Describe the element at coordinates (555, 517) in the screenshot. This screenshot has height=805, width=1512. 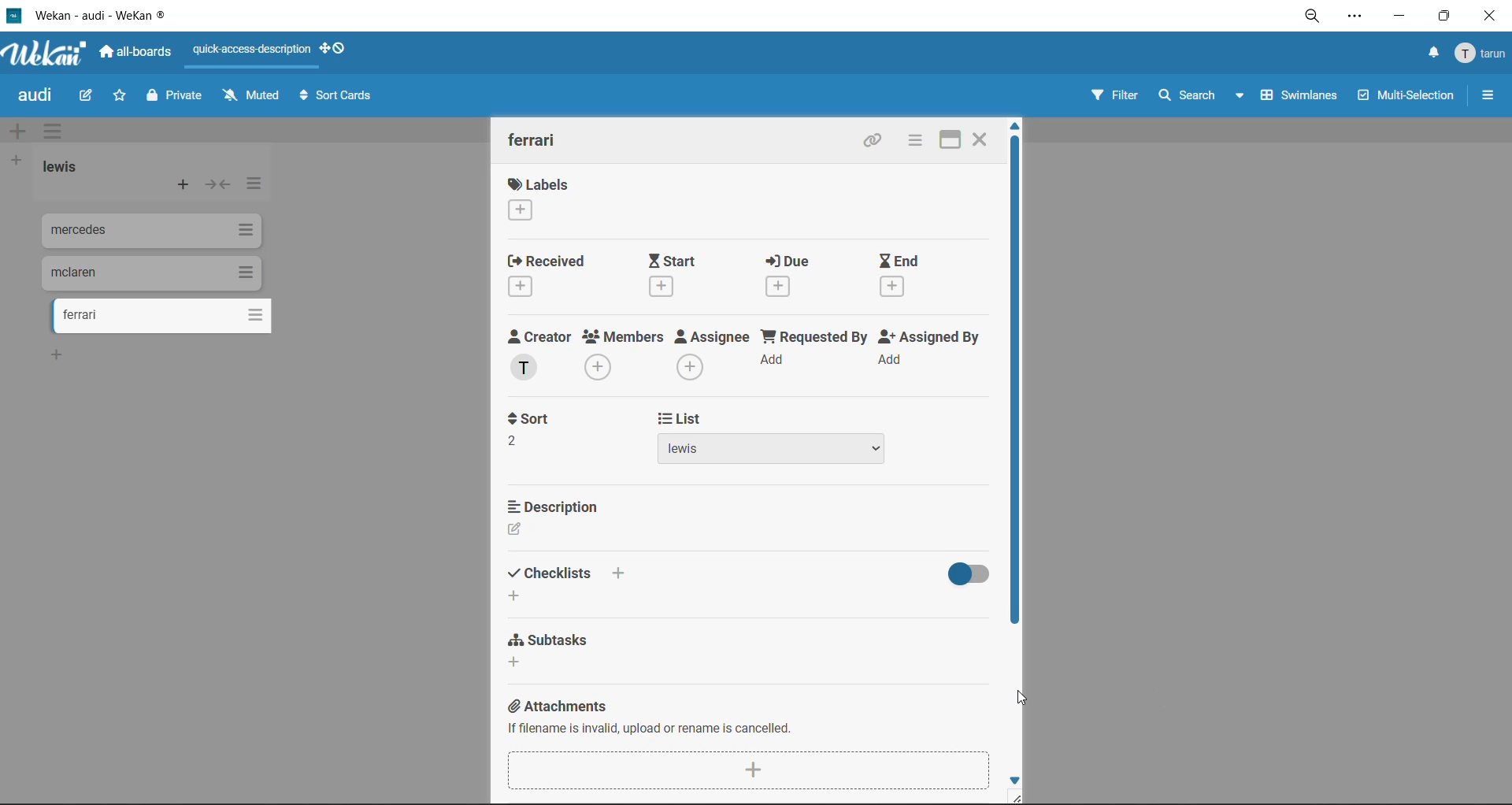
I see `description` at that location.